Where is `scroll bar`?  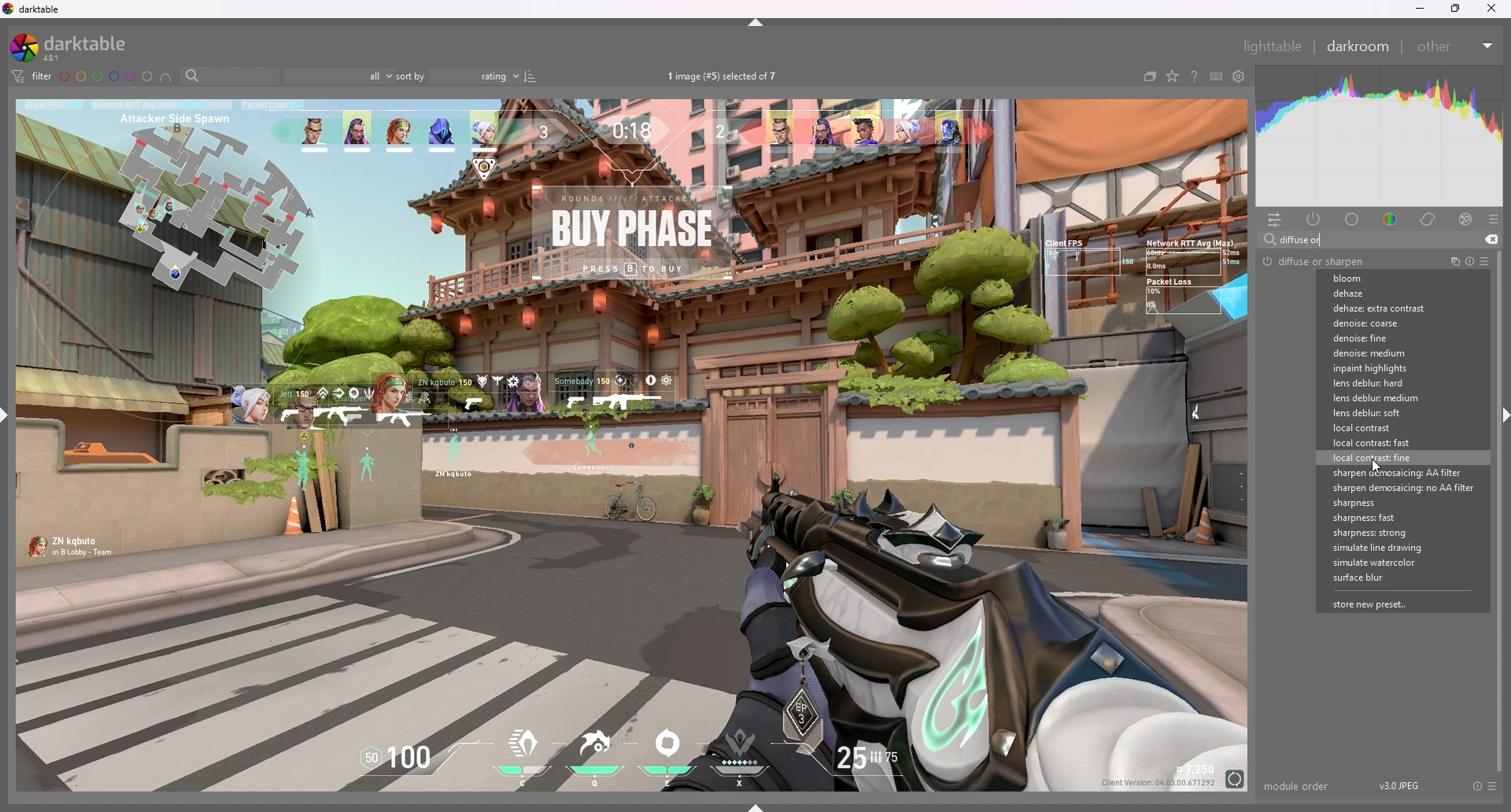 scroll bar is located at coordinates (1498, 510).